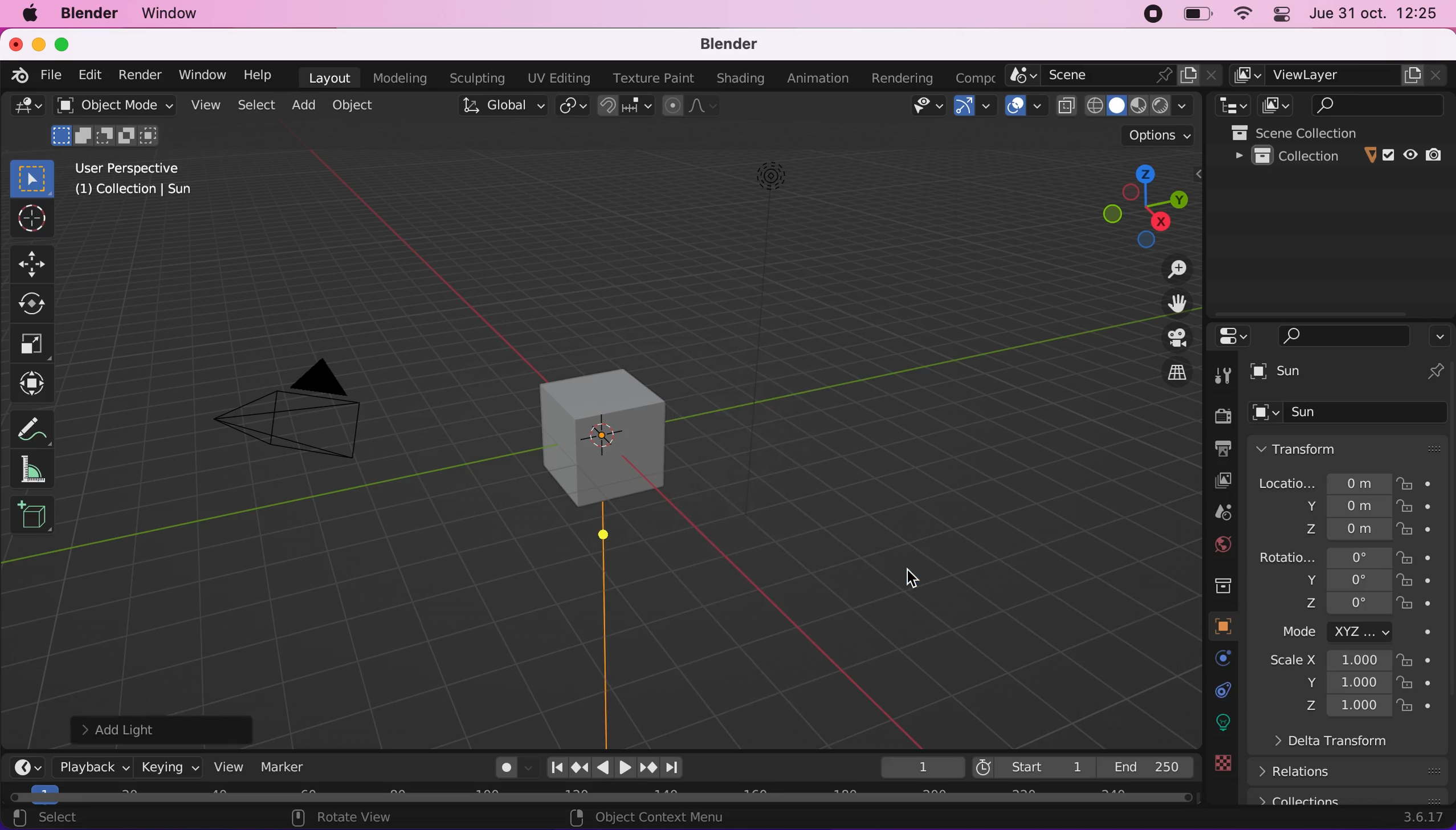  Describe the element at coordinates (556, 78) in the screenshot. I see `uv editing` at that location.